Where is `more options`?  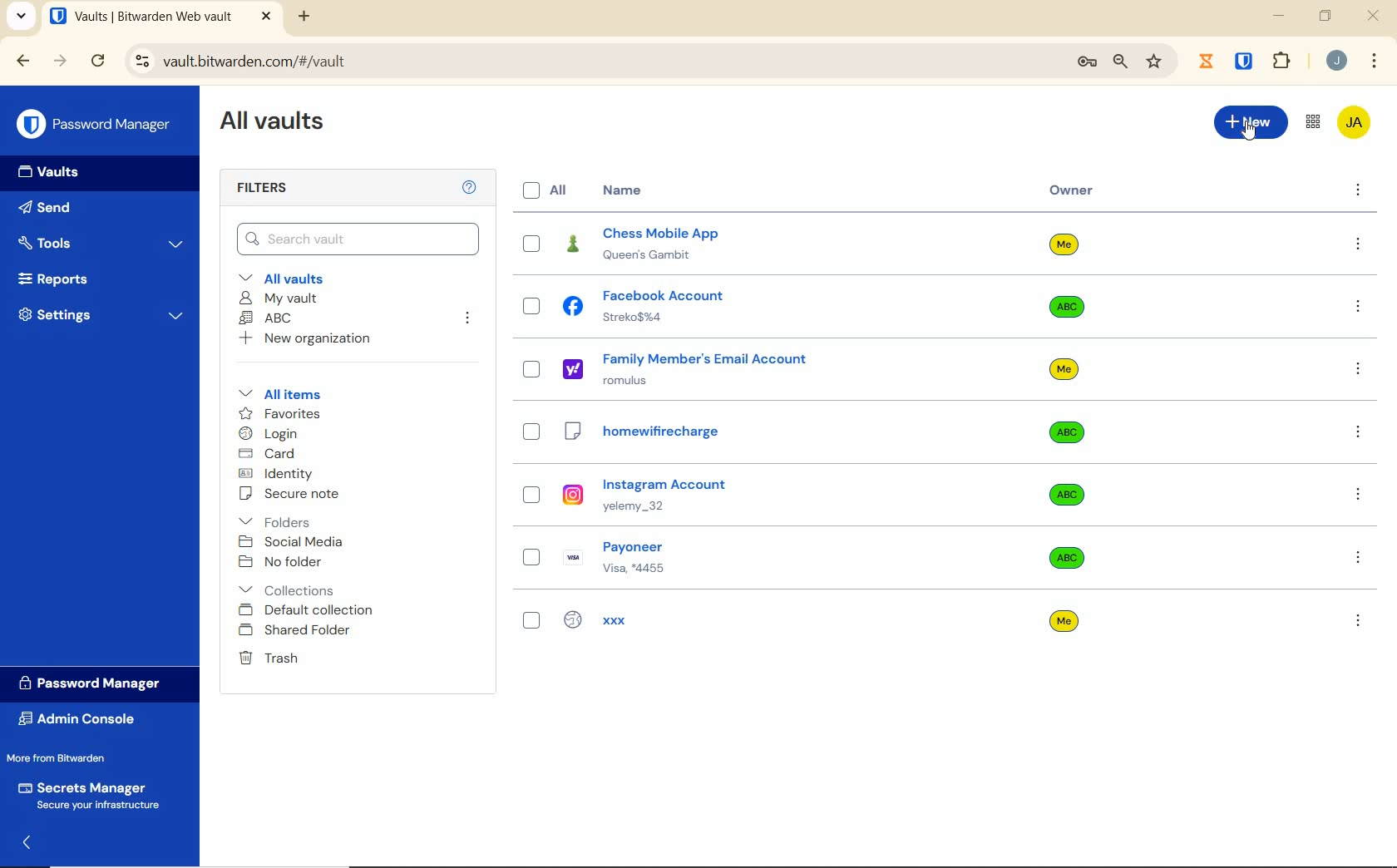 more options is located at coordinates (1357, 432).